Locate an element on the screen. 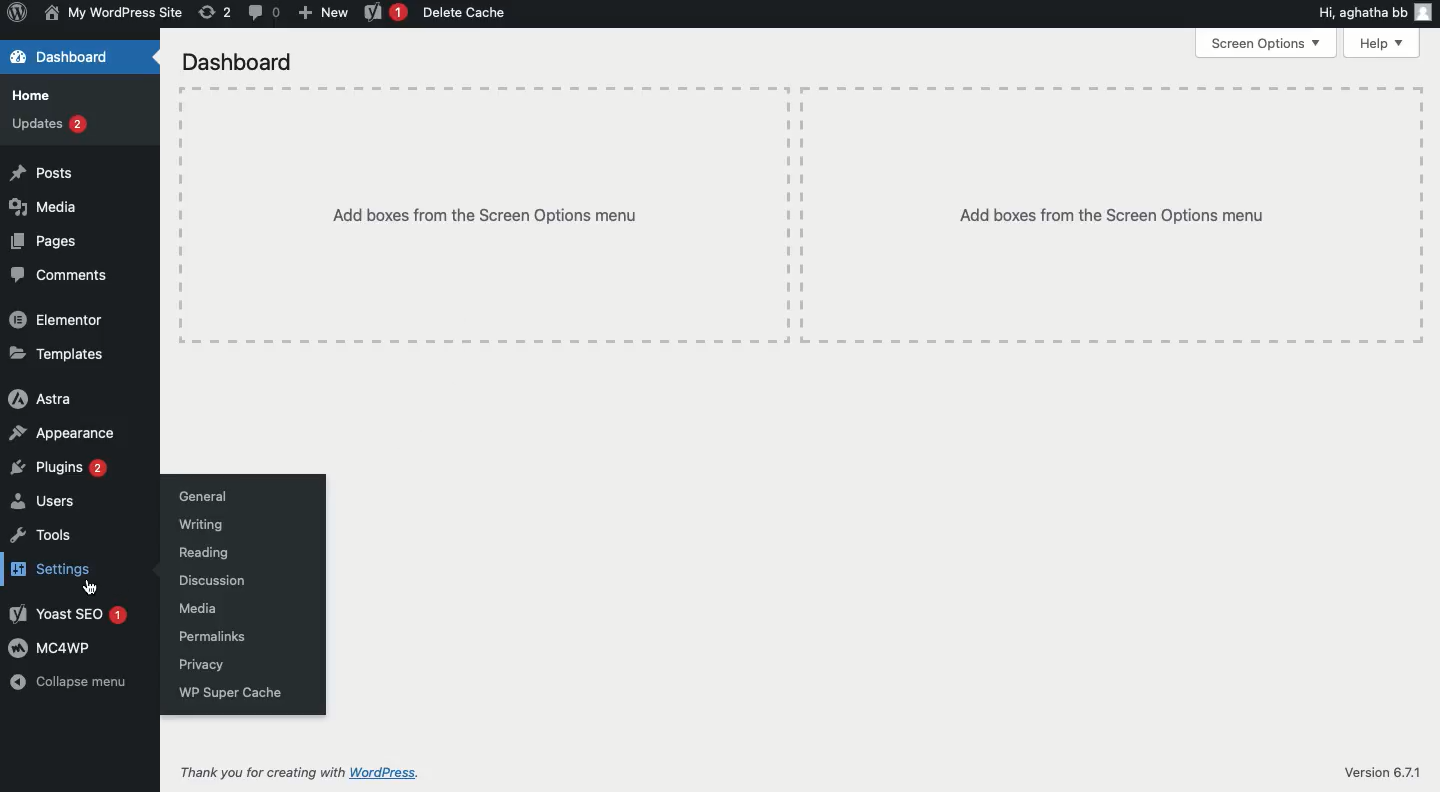 This screenshot has height=792, width=1440. Discussion is located at coordinates (214, 580).